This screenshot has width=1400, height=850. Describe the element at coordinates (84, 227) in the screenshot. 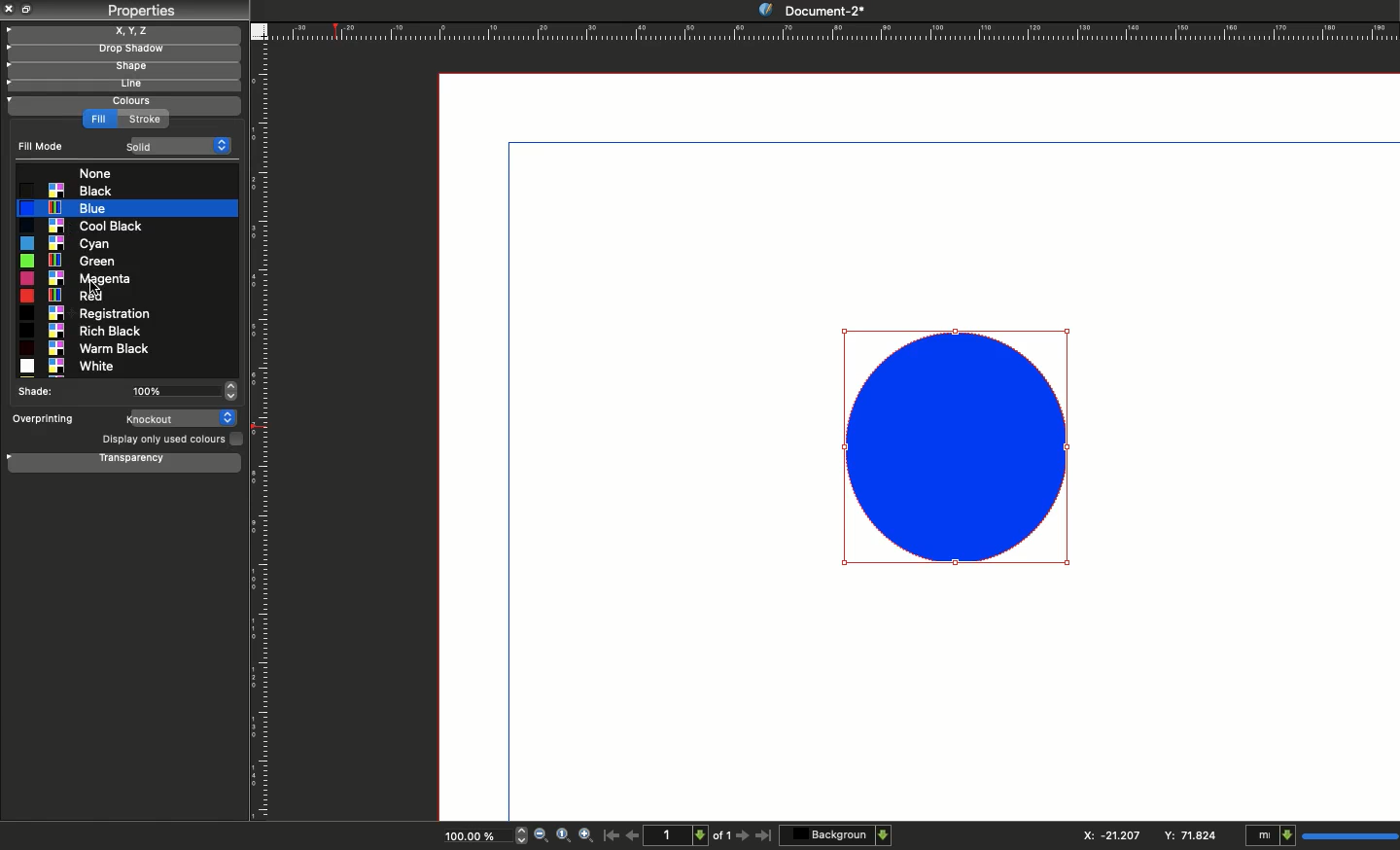

I see `Cool black` at that location.